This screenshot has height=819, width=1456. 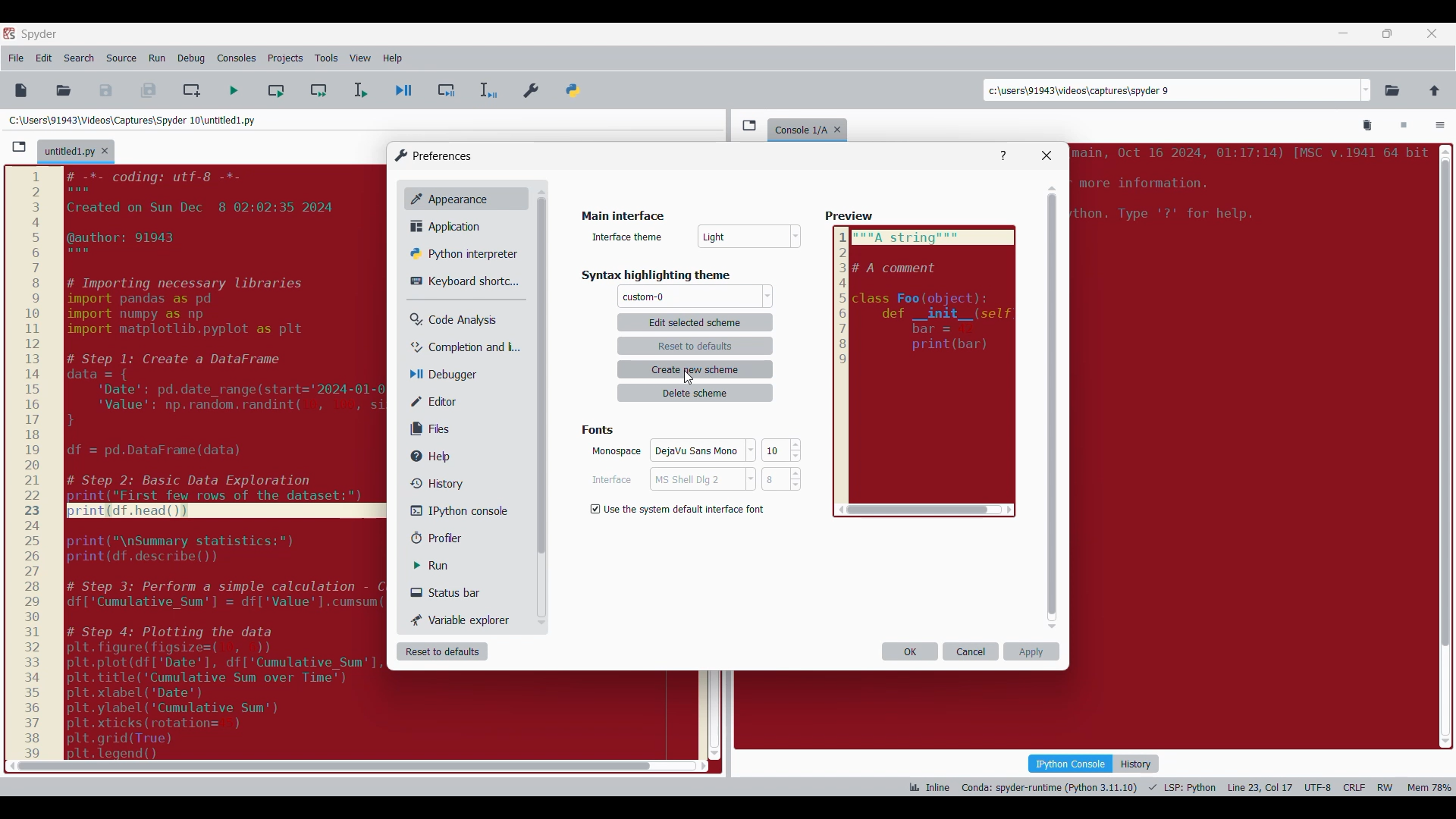 I want to click on console, so click(x=798, y=128).